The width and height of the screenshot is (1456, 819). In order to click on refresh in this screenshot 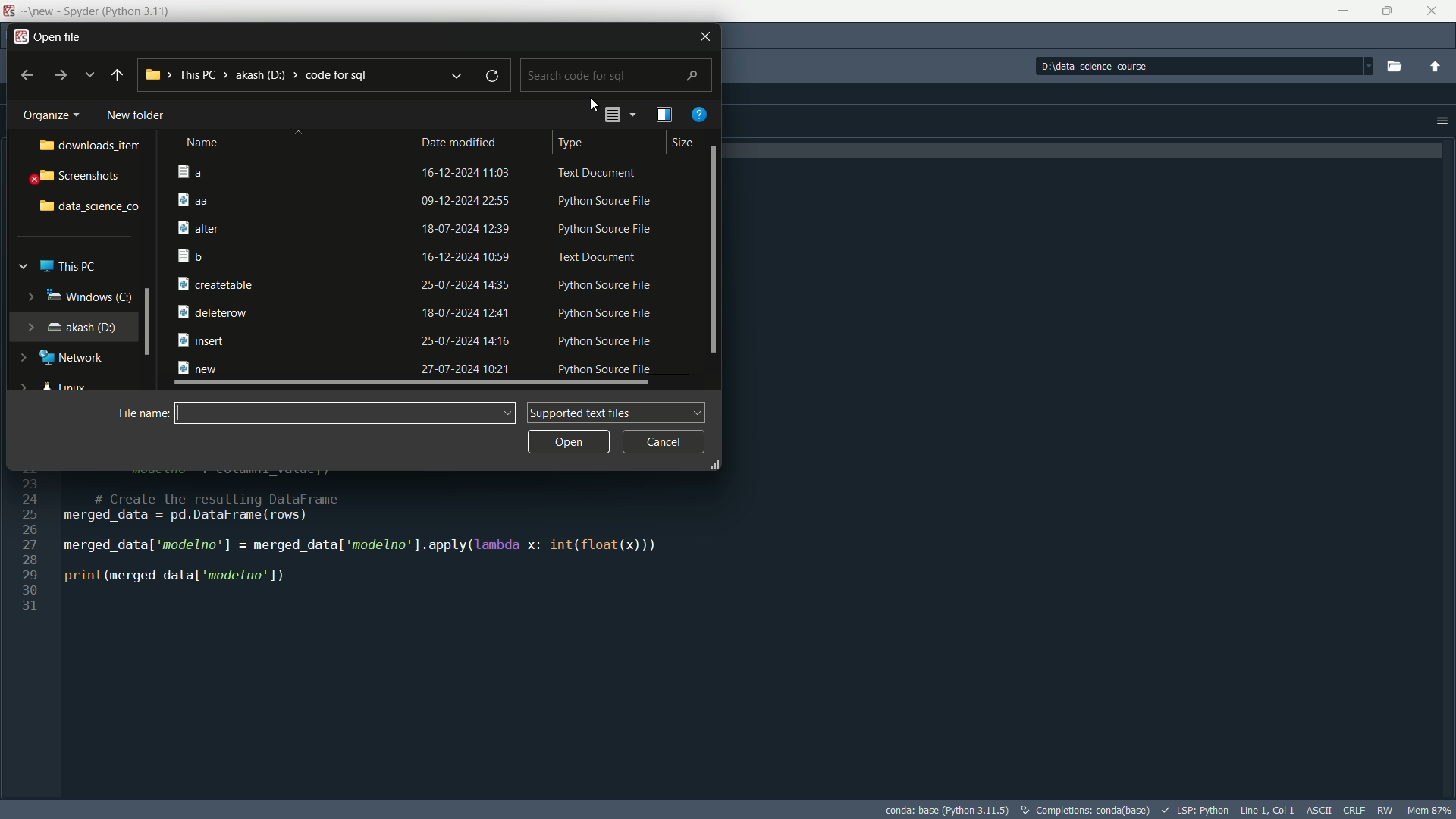, I will do `click(494, 73)`.